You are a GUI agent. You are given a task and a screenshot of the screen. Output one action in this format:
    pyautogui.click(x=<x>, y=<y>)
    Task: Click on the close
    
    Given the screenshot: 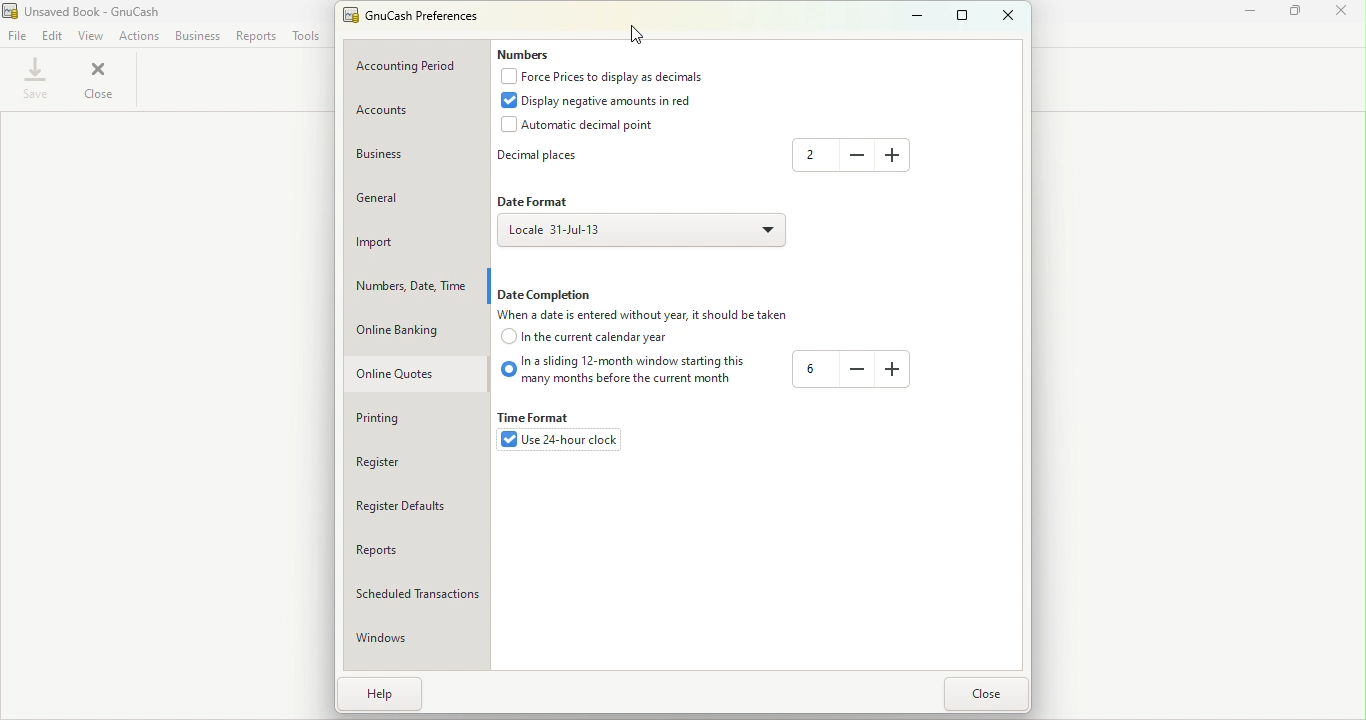 What is the action you would take?
    pyautogui.click(x=101, y=80)
    